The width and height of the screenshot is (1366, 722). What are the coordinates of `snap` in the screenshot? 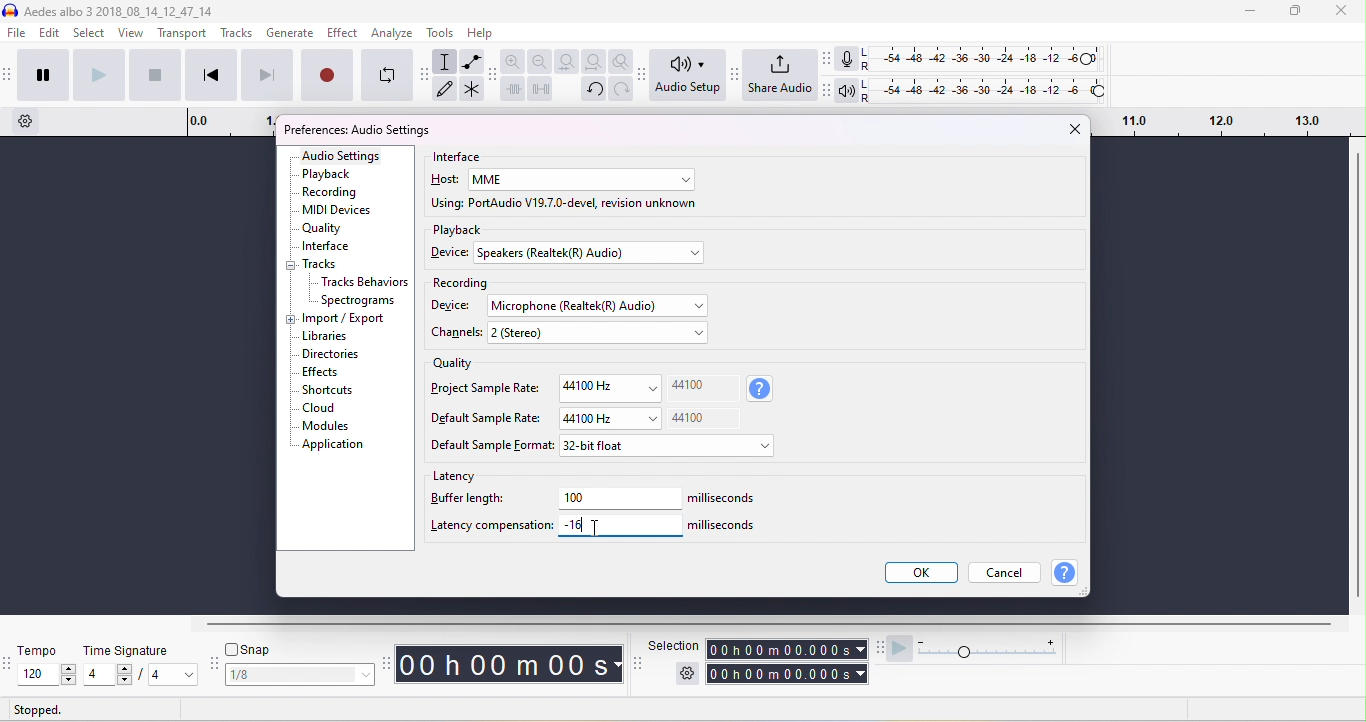 It's located at (251, 649).